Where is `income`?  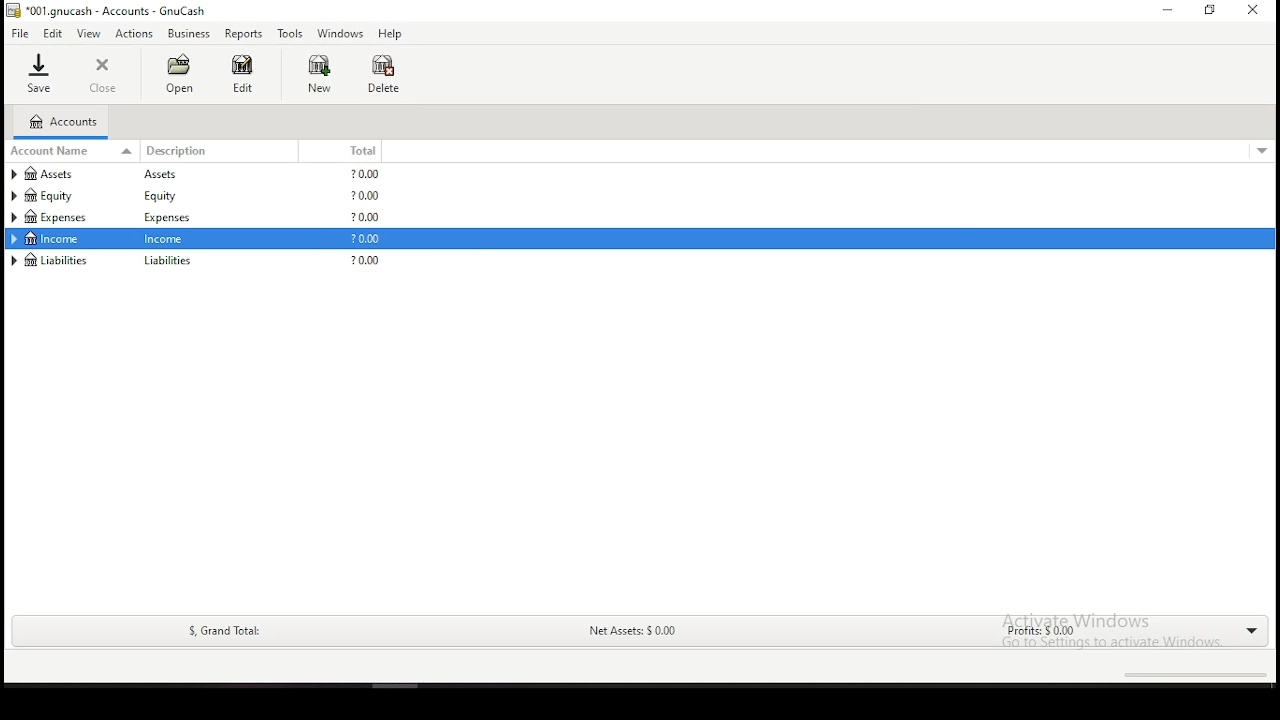 income is located at coordinates (54, 238).